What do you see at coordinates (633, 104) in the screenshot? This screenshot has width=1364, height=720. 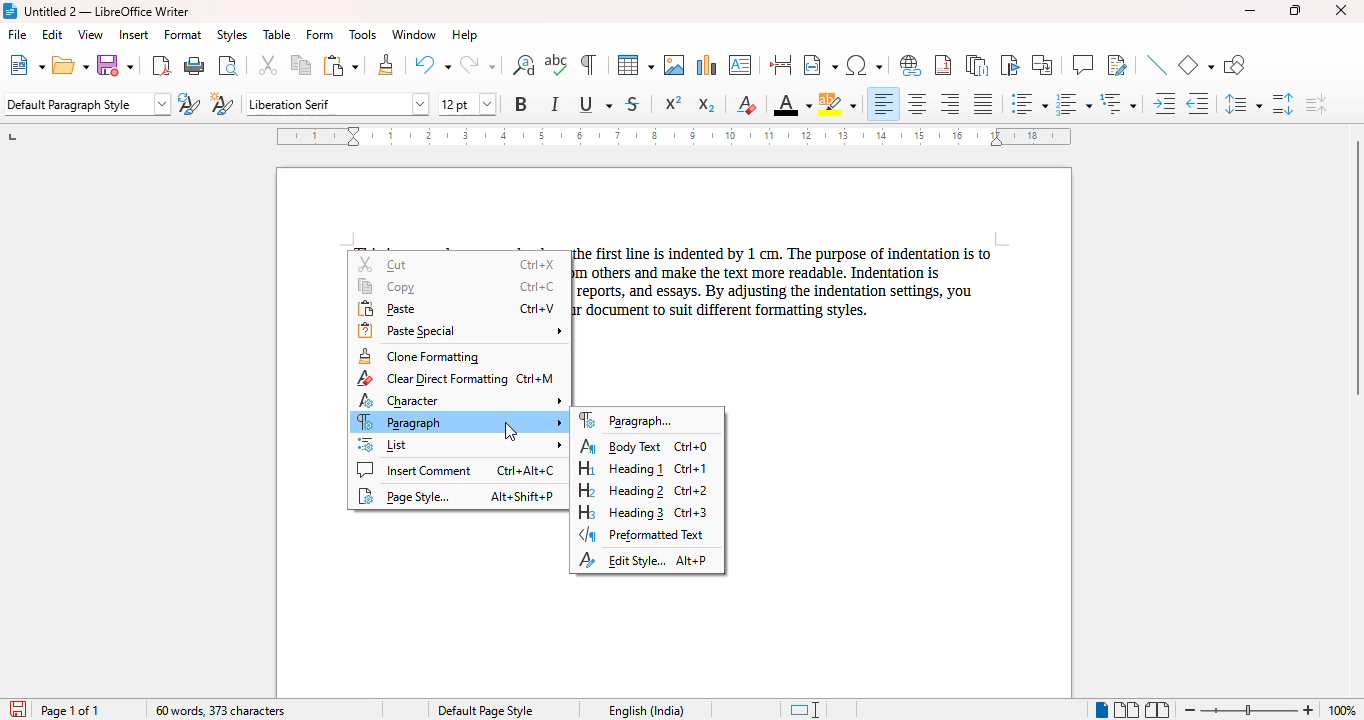 I see `strikethrough` at bounding box center [633, 104].